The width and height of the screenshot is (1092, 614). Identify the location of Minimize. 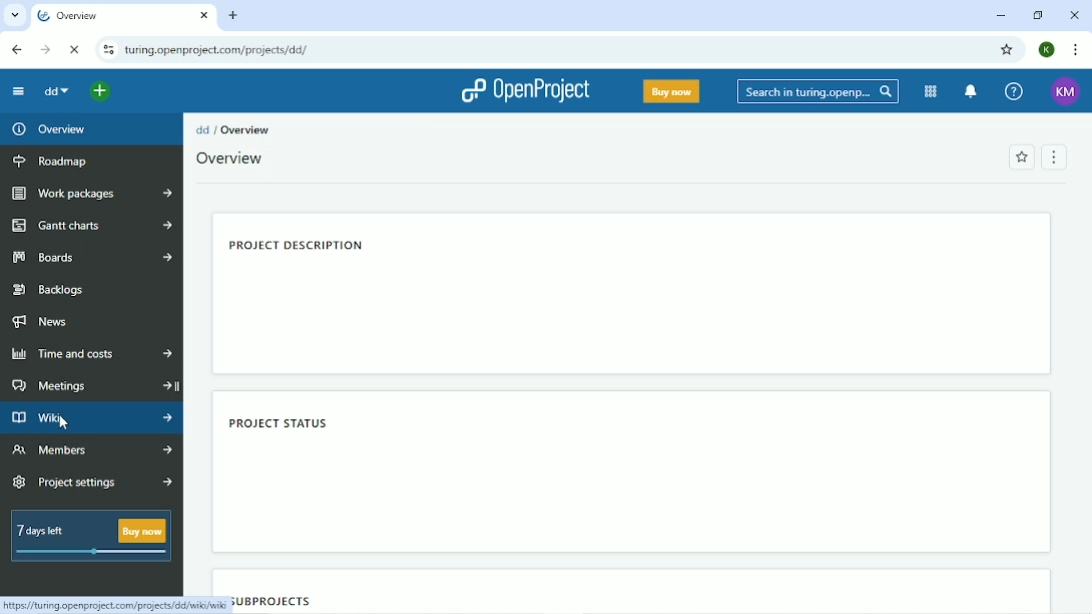
(999, 15).